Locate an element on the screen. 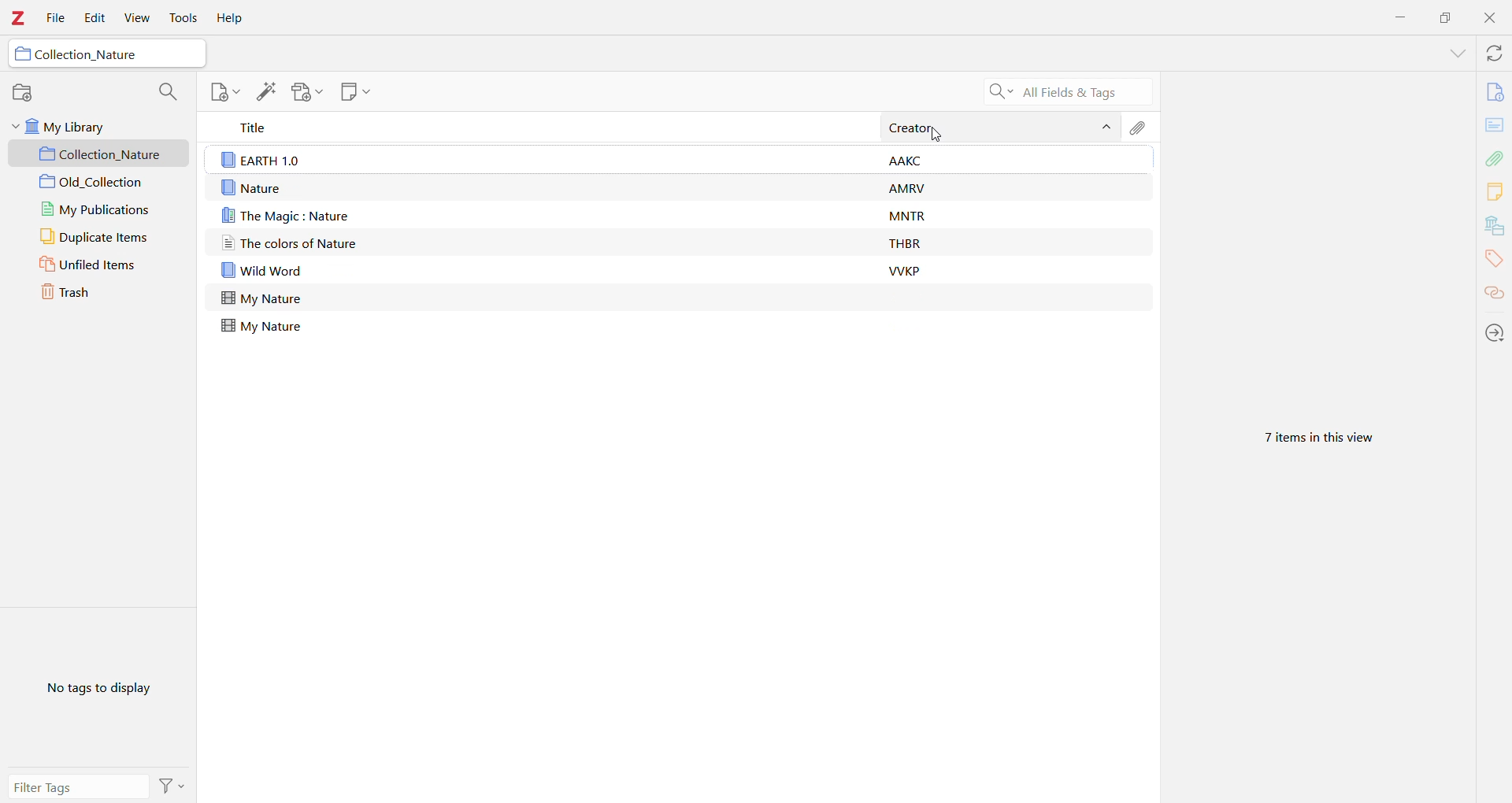  Sync with zotero.org is located at coordinates (1494, 53).